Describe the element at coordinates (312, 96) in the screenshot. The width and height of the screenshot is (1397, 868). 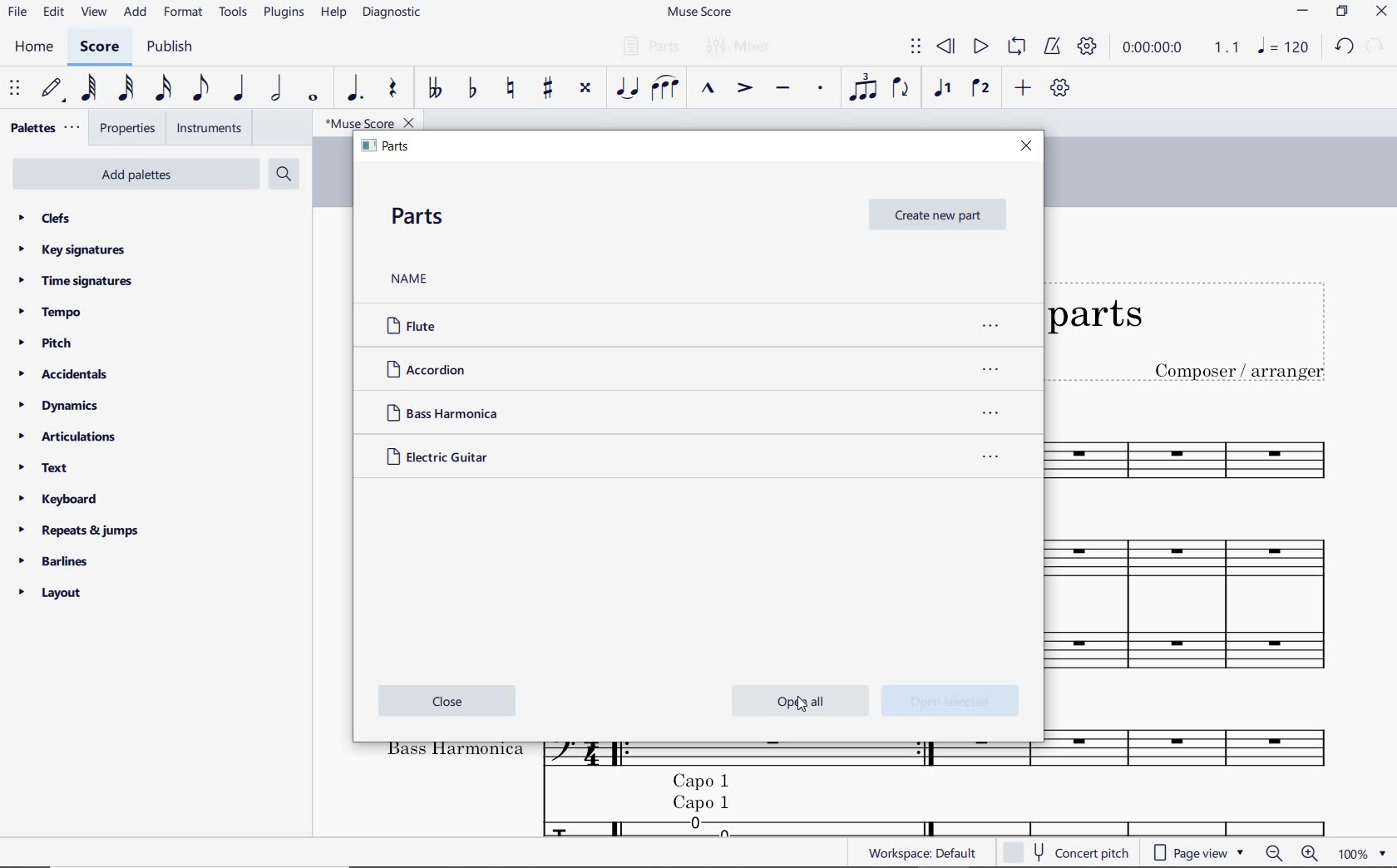
I see `whole note` at that location.